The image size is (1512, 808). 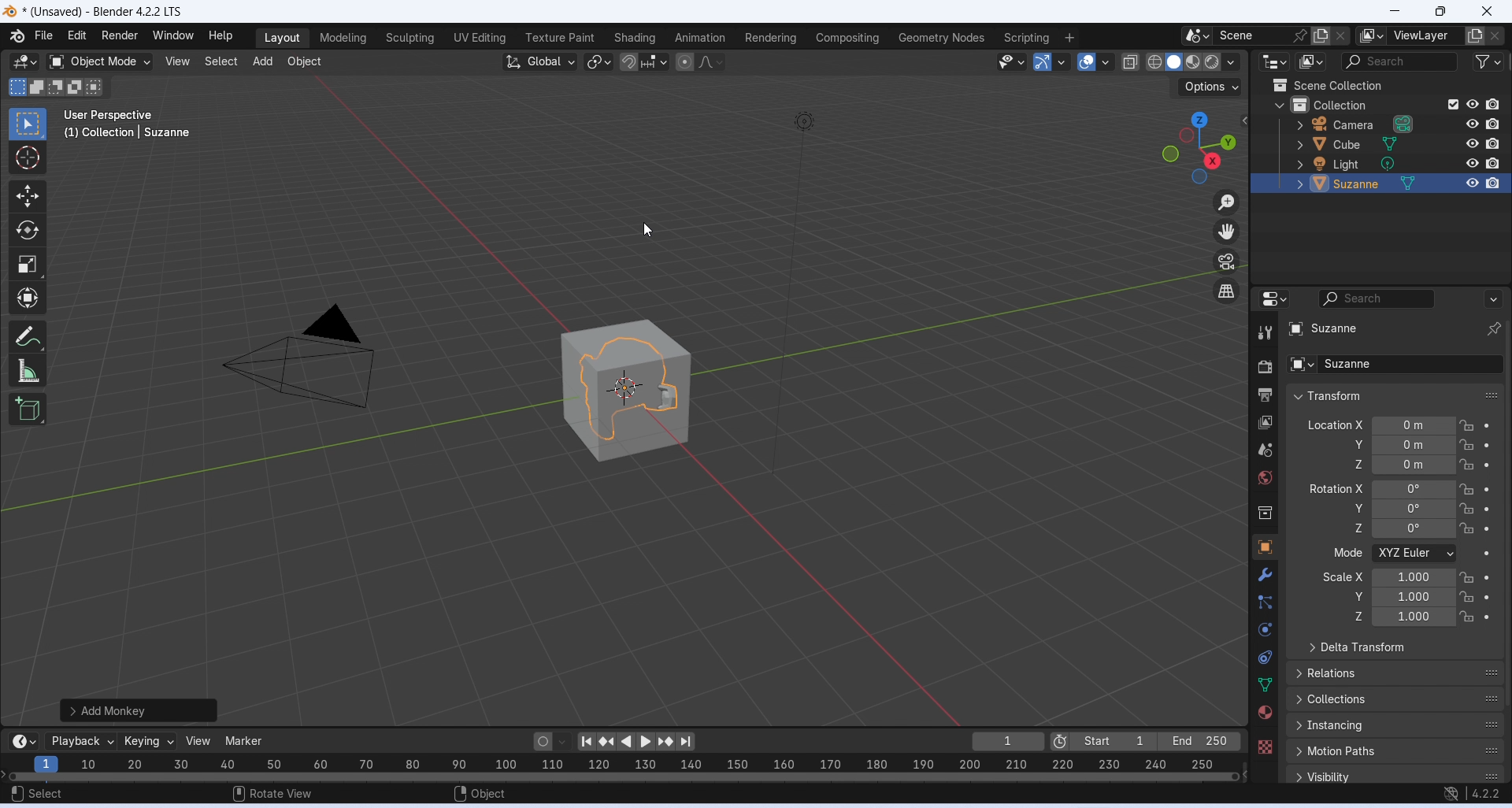 I want to click on execute from view layer, so click(x=1453, y=103).